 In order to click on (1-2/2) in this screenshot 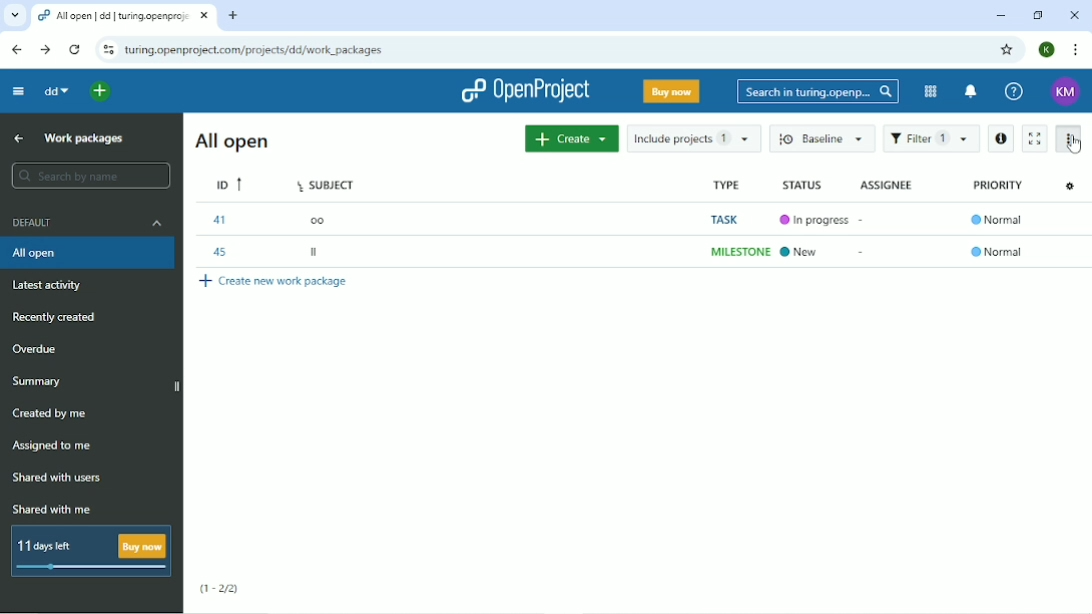, I will do `click(220, 589)`.